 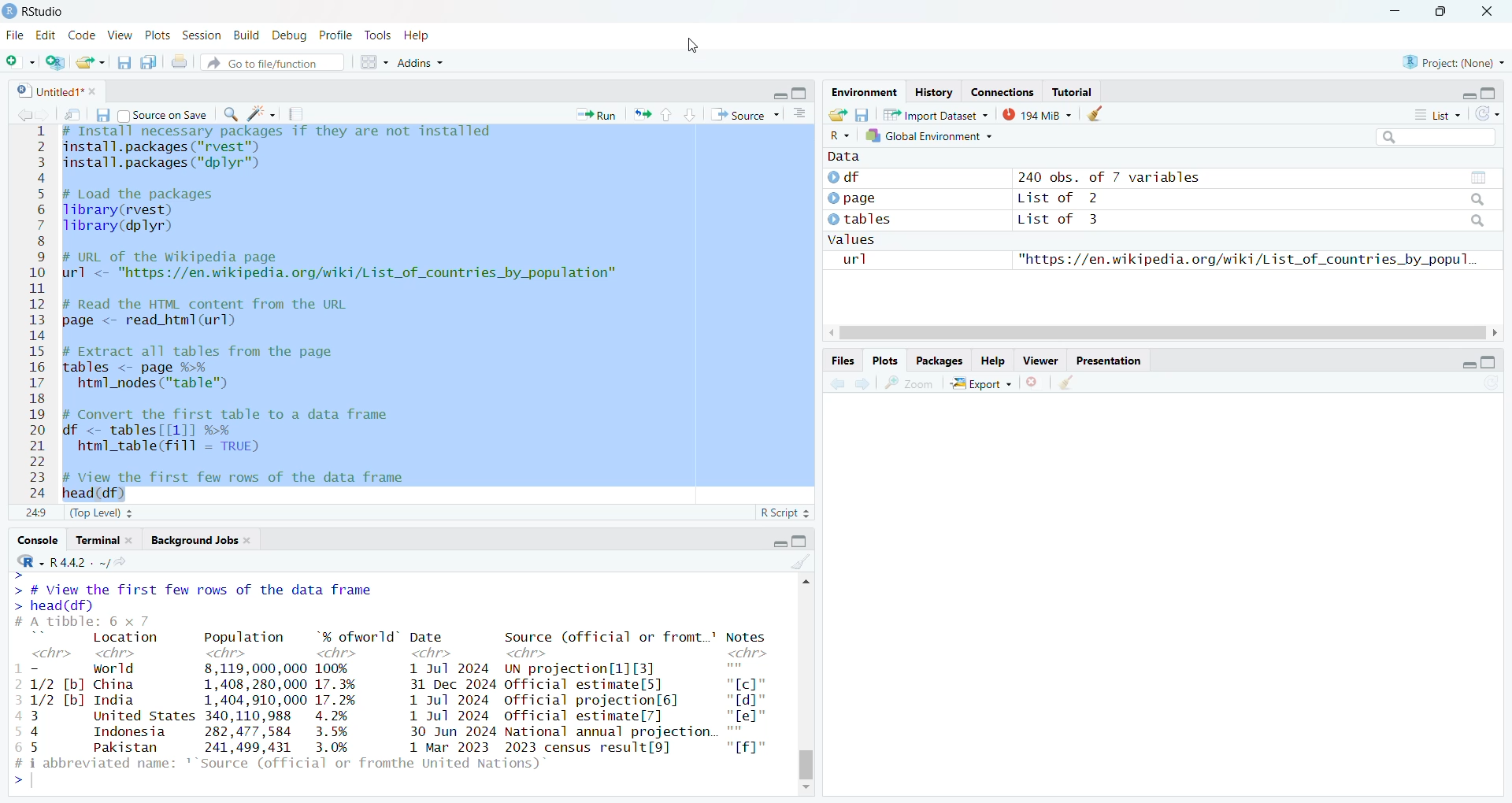 I want to click on 194 MiB, so click(x=1035, y=113).